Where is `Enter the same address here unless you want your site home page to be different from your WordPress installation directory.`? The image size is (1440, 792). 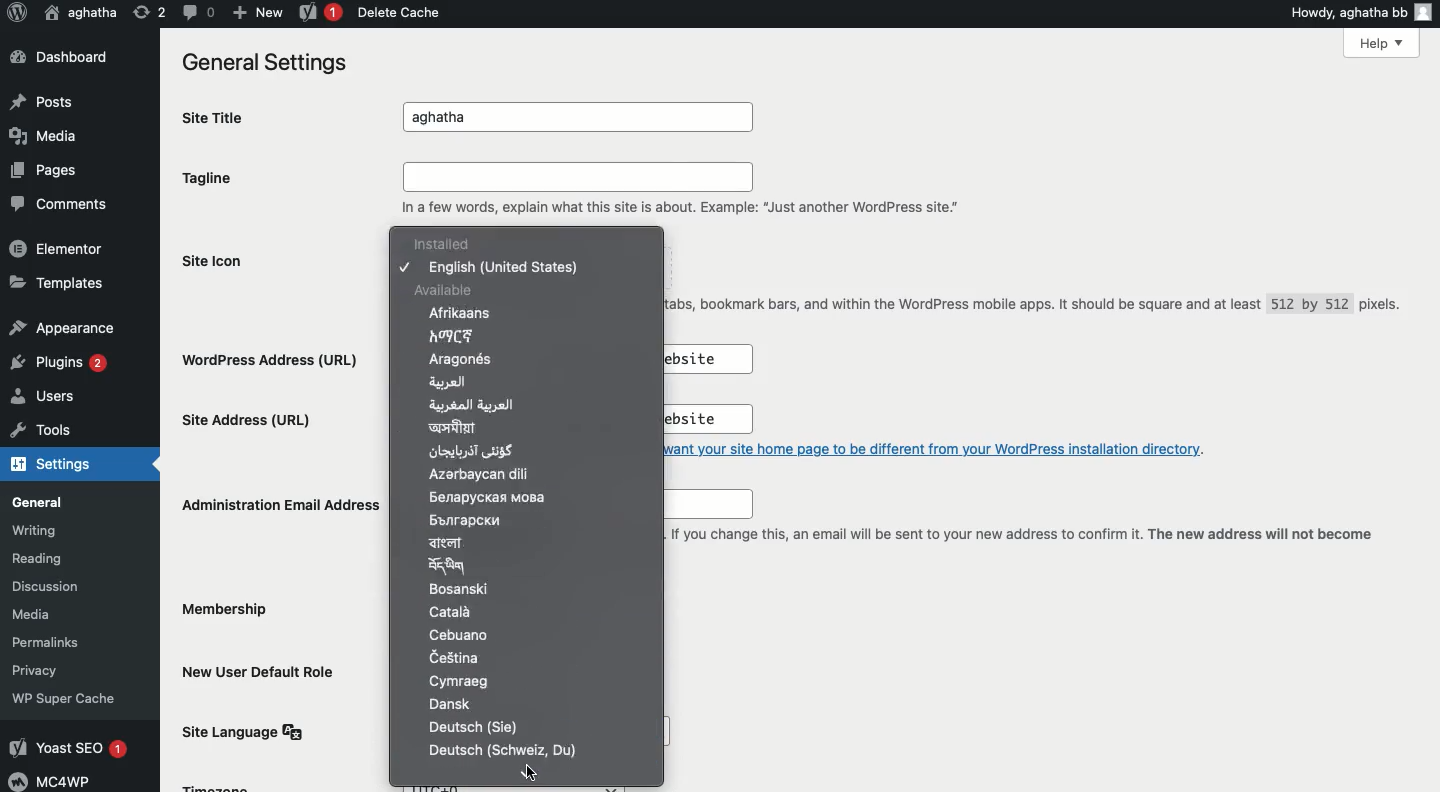 Enter the same address here unless you want your site home page to be different from your WordPress installation directory. is located at coordinates (948, 448).